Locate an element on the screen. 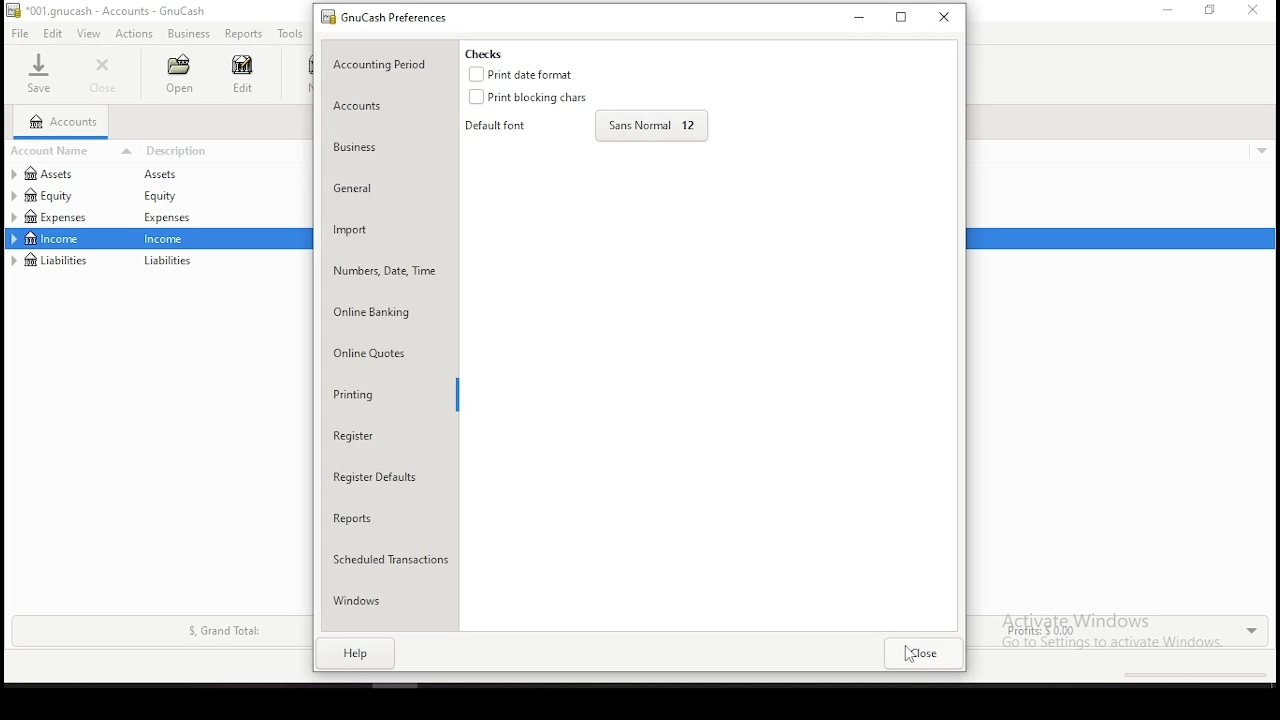 This screenshot has height=720, width=1280. import is located at coordinates (360, 228).